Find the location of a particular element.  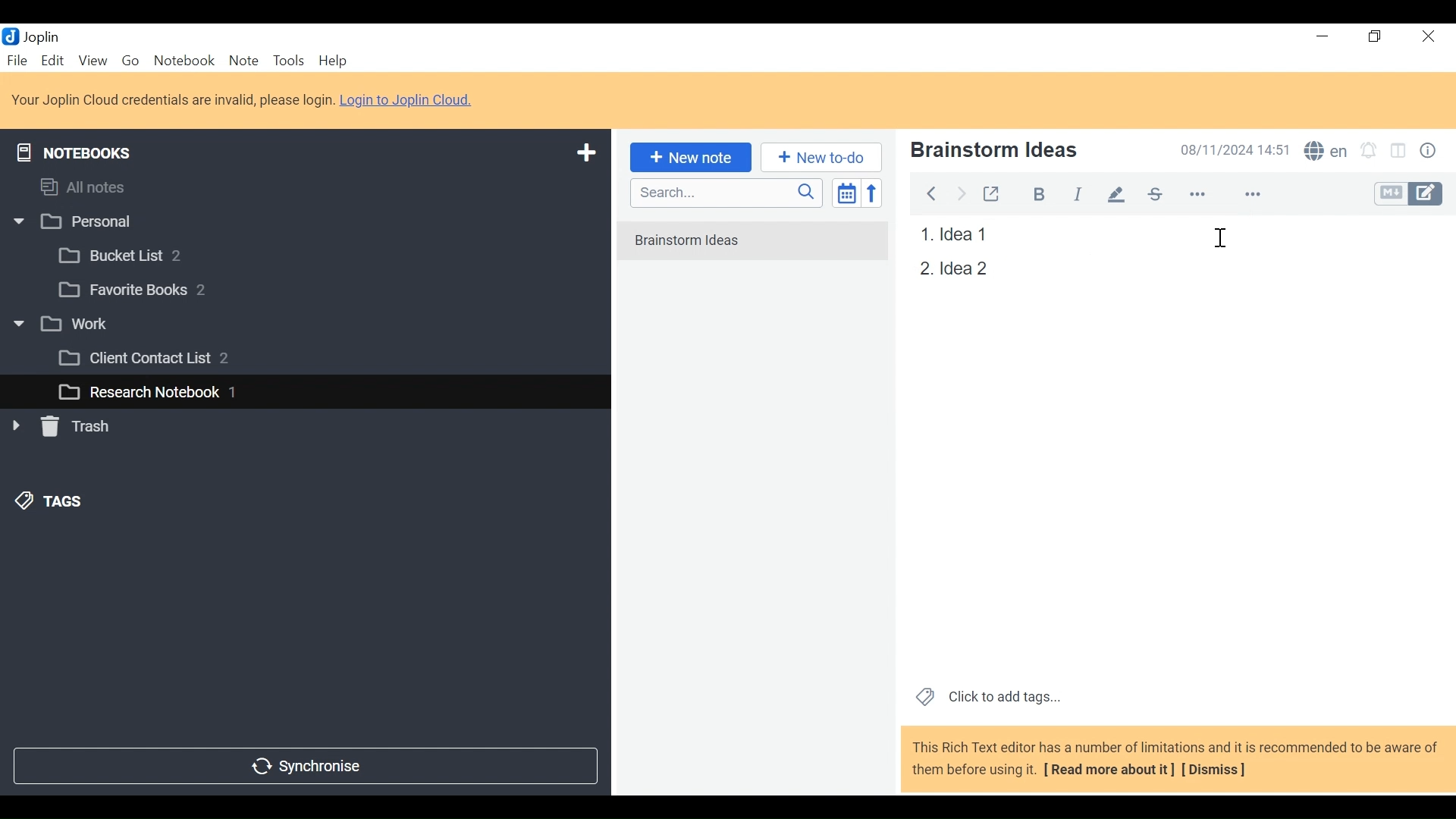

[3 Client Contact List 2 is located at coordinates (166, 362).